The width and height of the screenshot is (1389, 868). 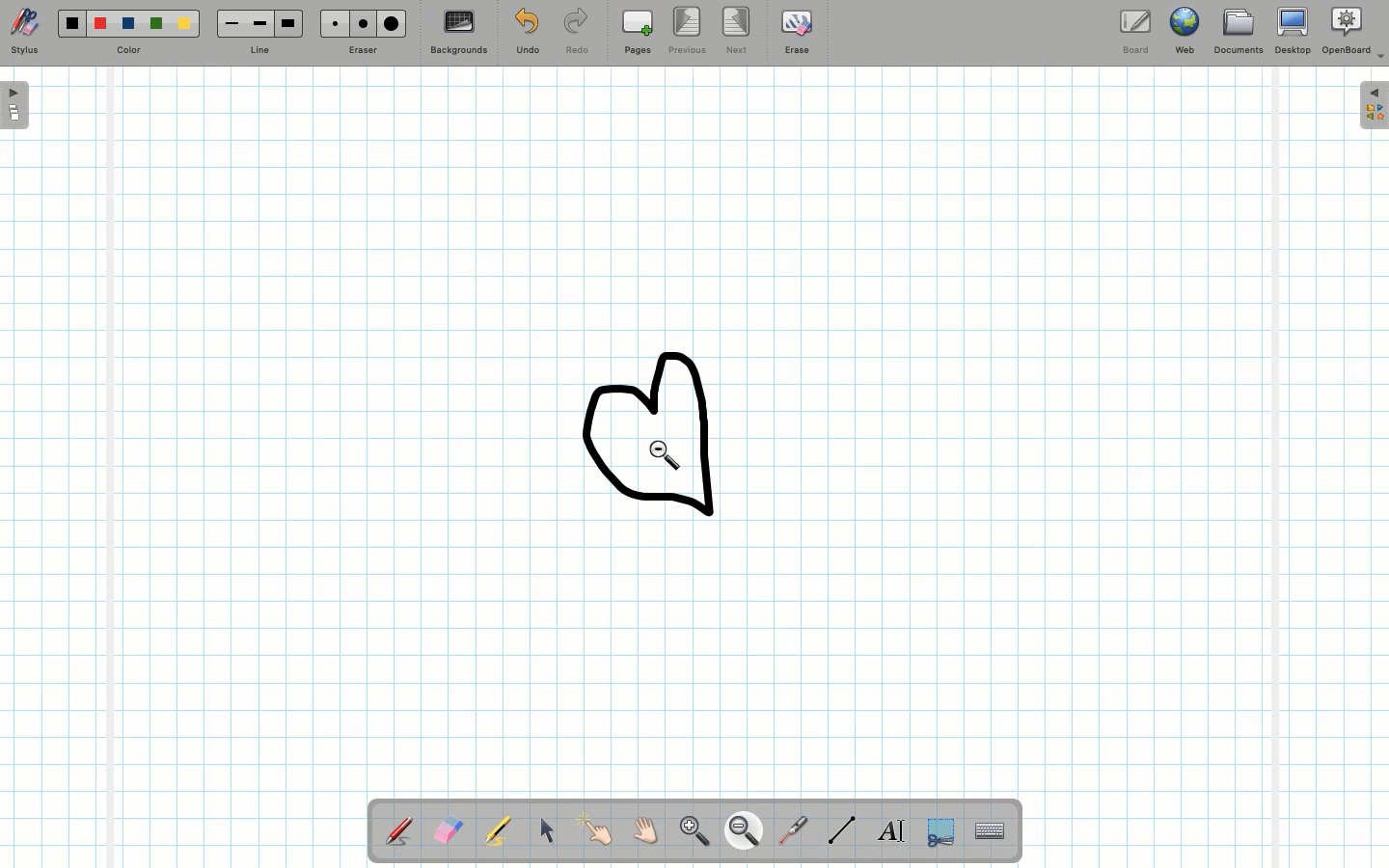 What do you see at coordinates (666, 456) in the screenshot?
I see `cursor` at bounding box center [666, 456].